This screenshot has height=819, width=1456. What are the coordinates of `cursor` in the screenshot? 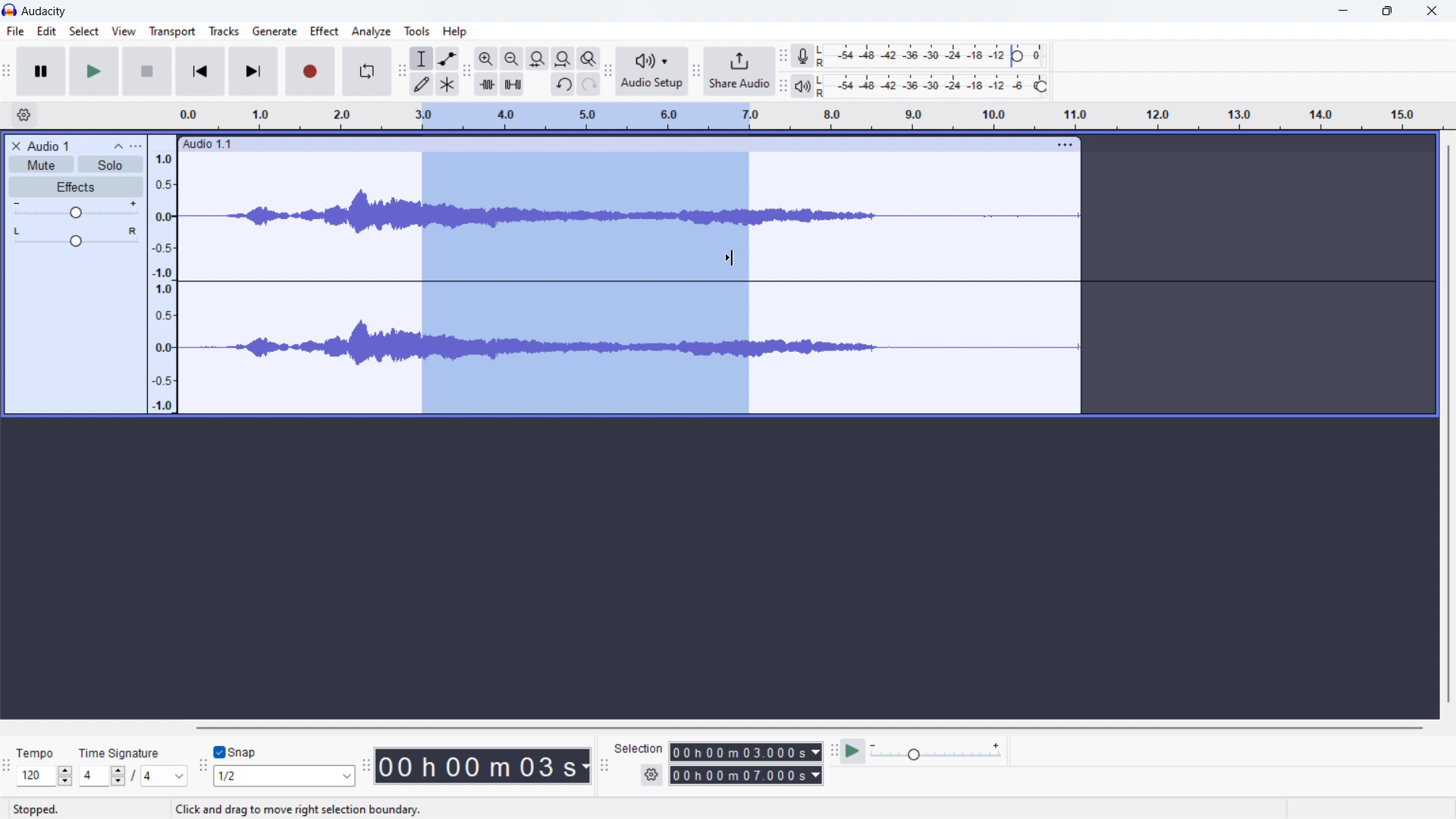 It's located at (733, 259).